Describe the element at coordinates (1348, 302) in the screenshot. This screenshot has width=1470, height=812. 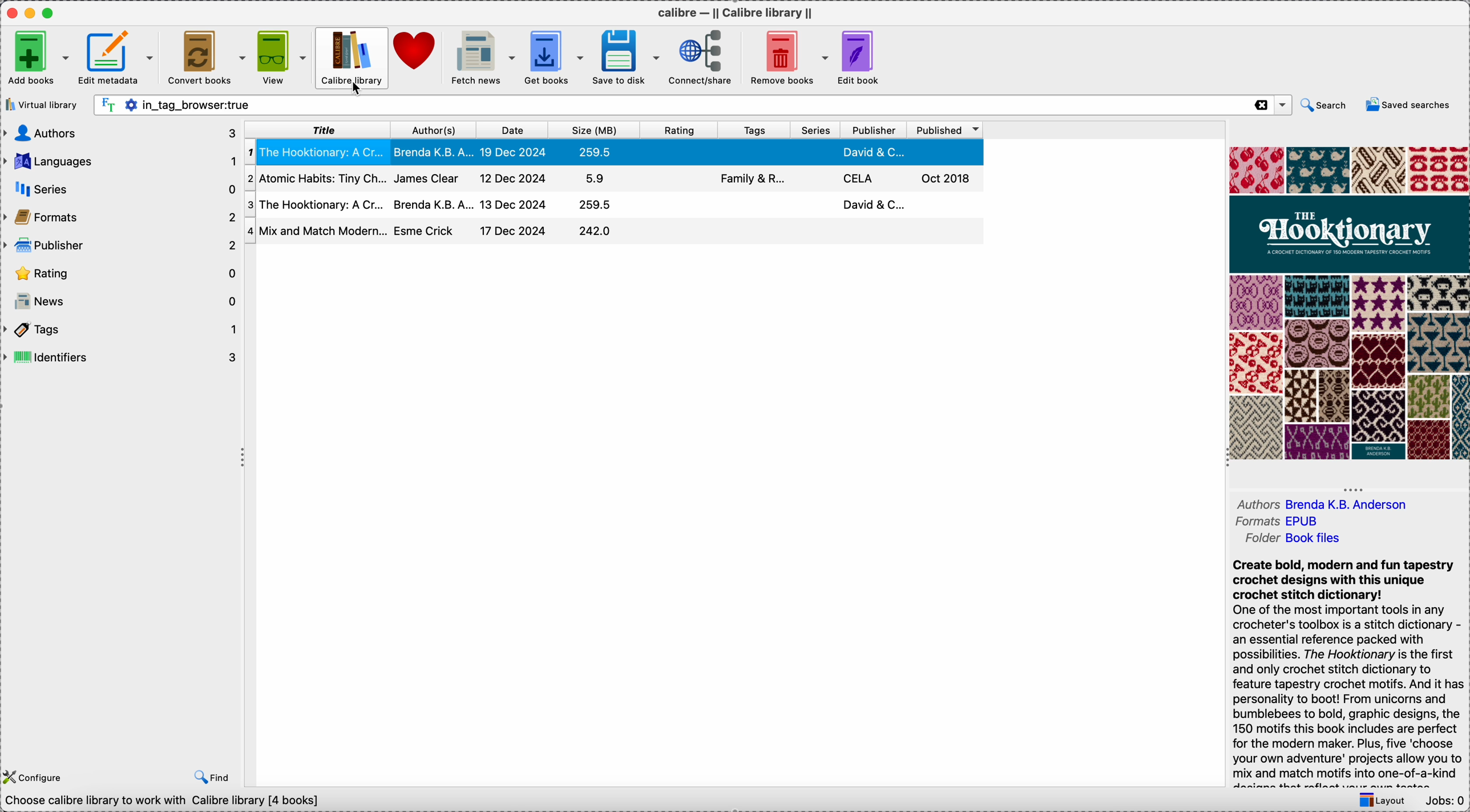
I see `book cover preview` at that location.